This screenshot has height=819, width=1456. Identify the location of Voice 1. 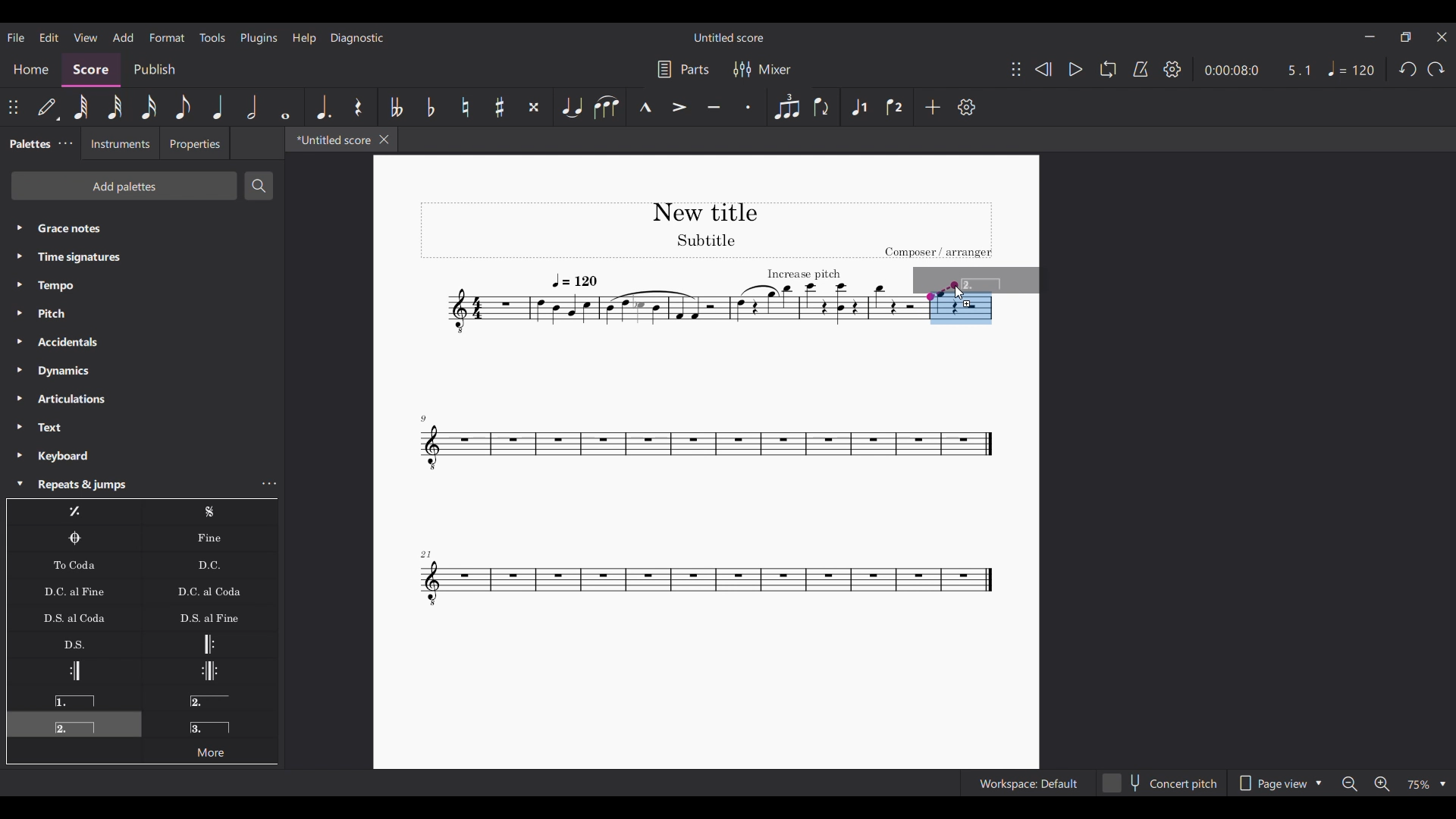
(858, 107).